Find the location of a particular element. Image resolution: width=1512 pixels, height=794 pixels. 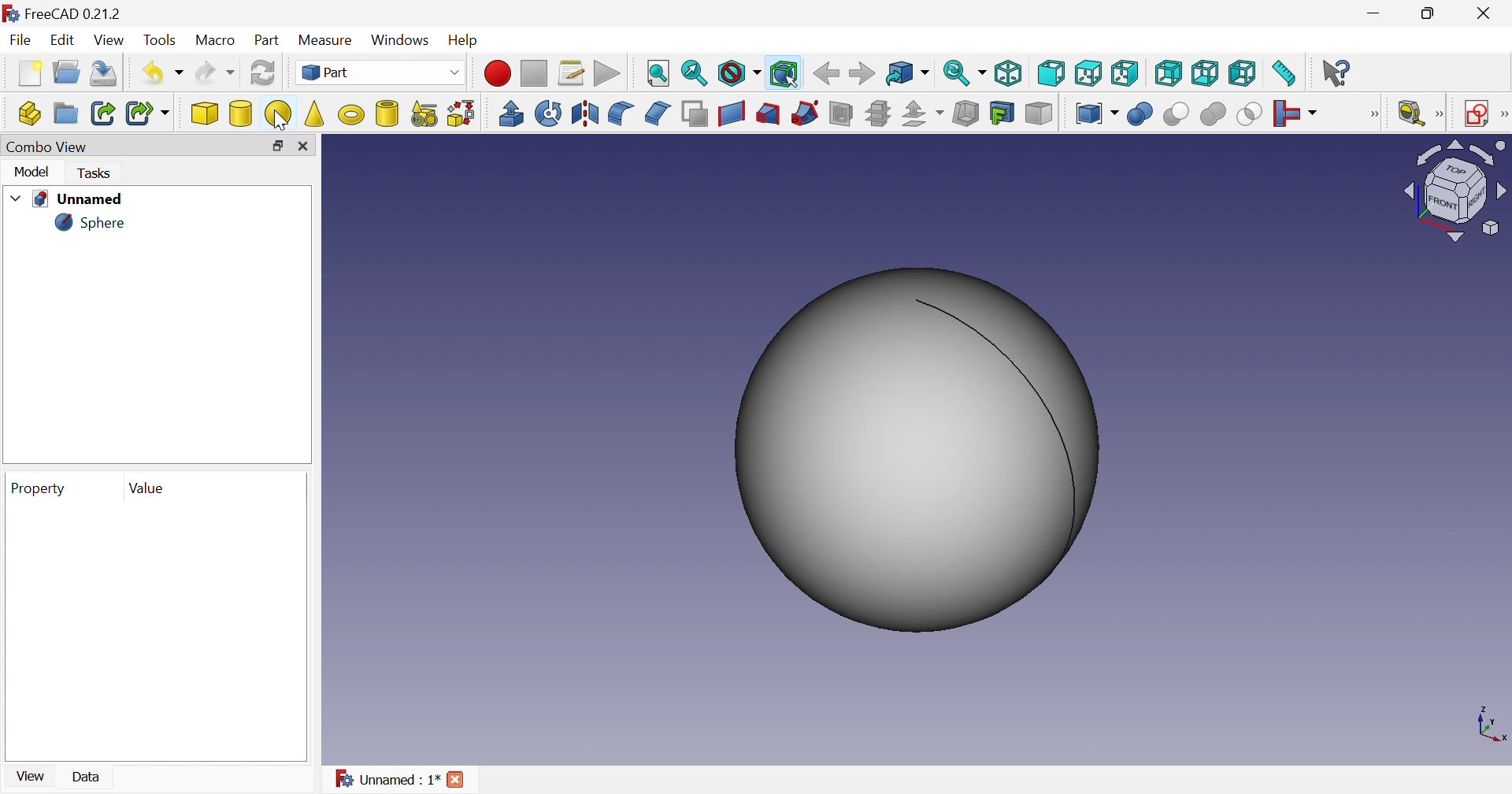

Close is located at coordinates (1488, 13).